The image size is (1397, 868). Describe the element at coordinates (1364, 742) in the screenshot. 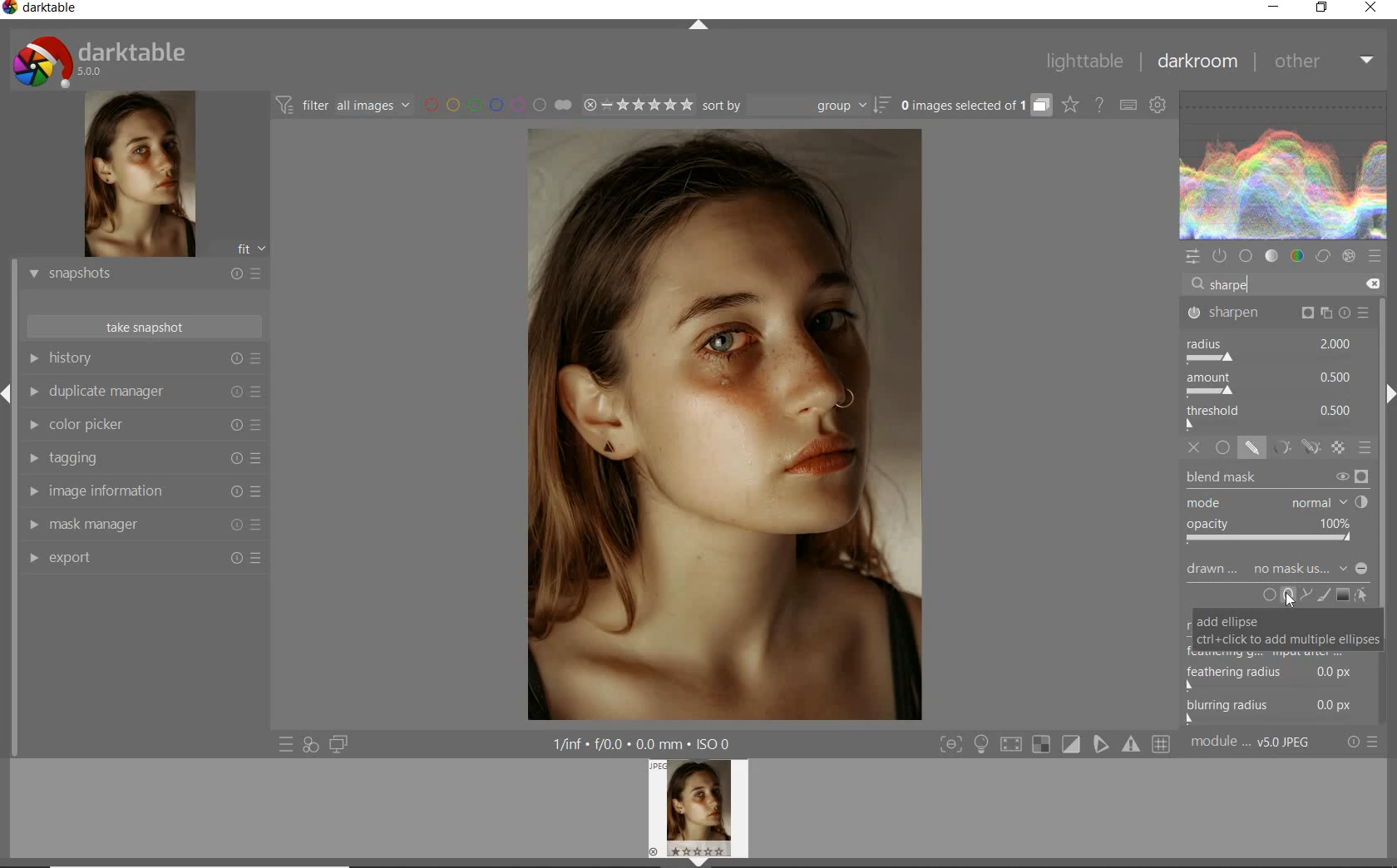

I see `reset or presets & preferences` at that location.